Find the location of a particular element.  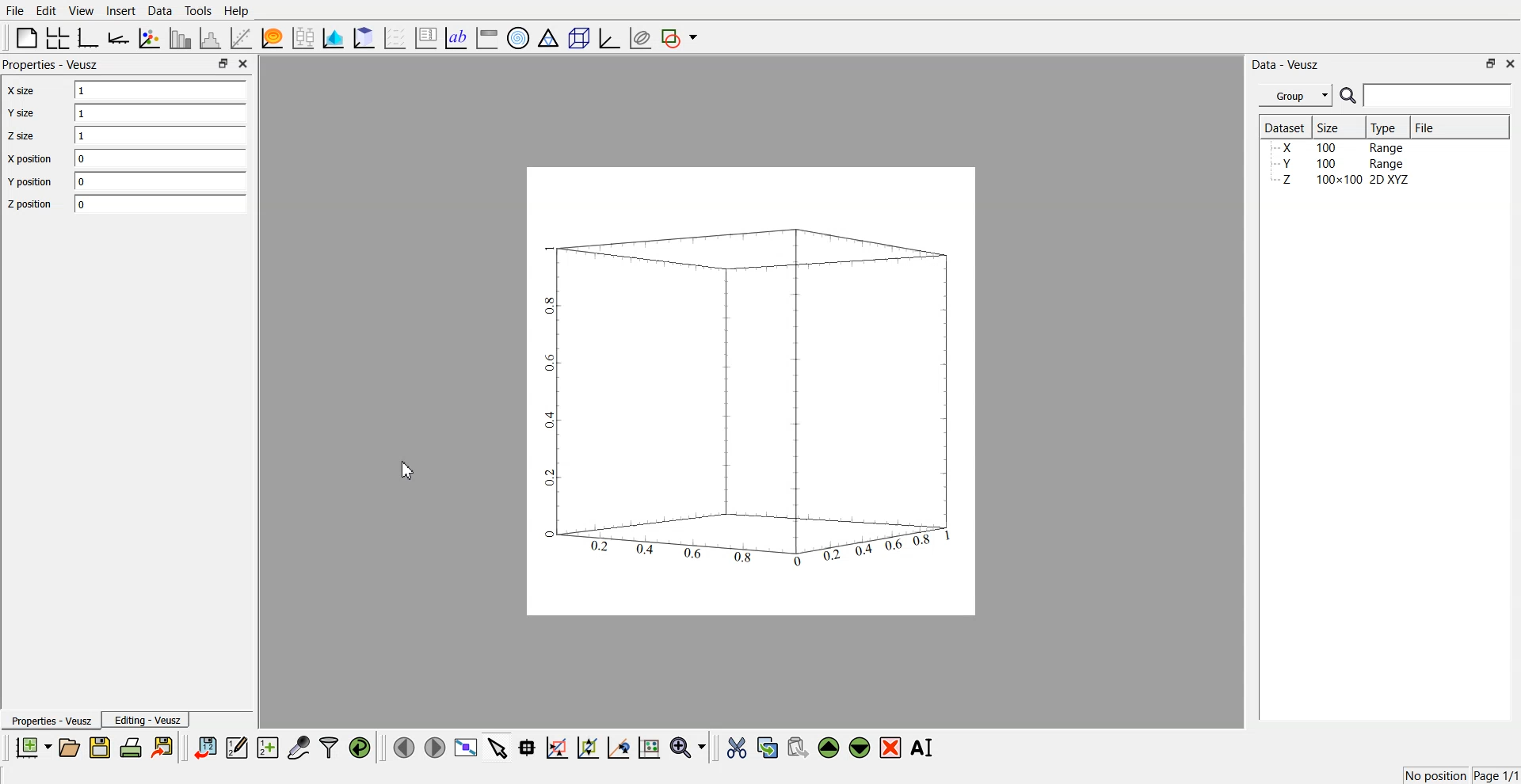

X size is located at coordinates (23, 90).